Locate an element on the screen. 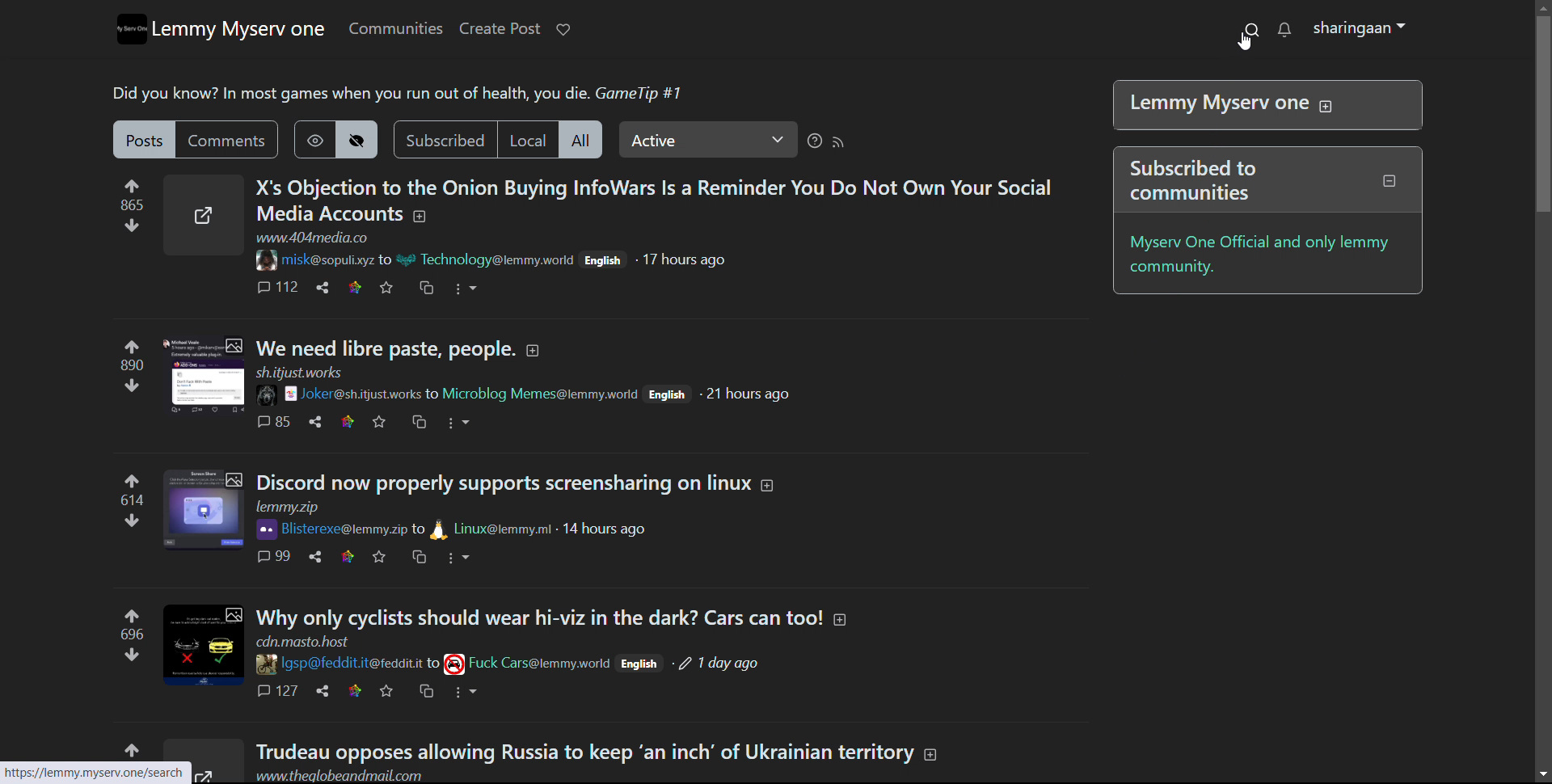 The width and height of the screenshot is (1552, 784). favorite is located at coordinates (386, 692).